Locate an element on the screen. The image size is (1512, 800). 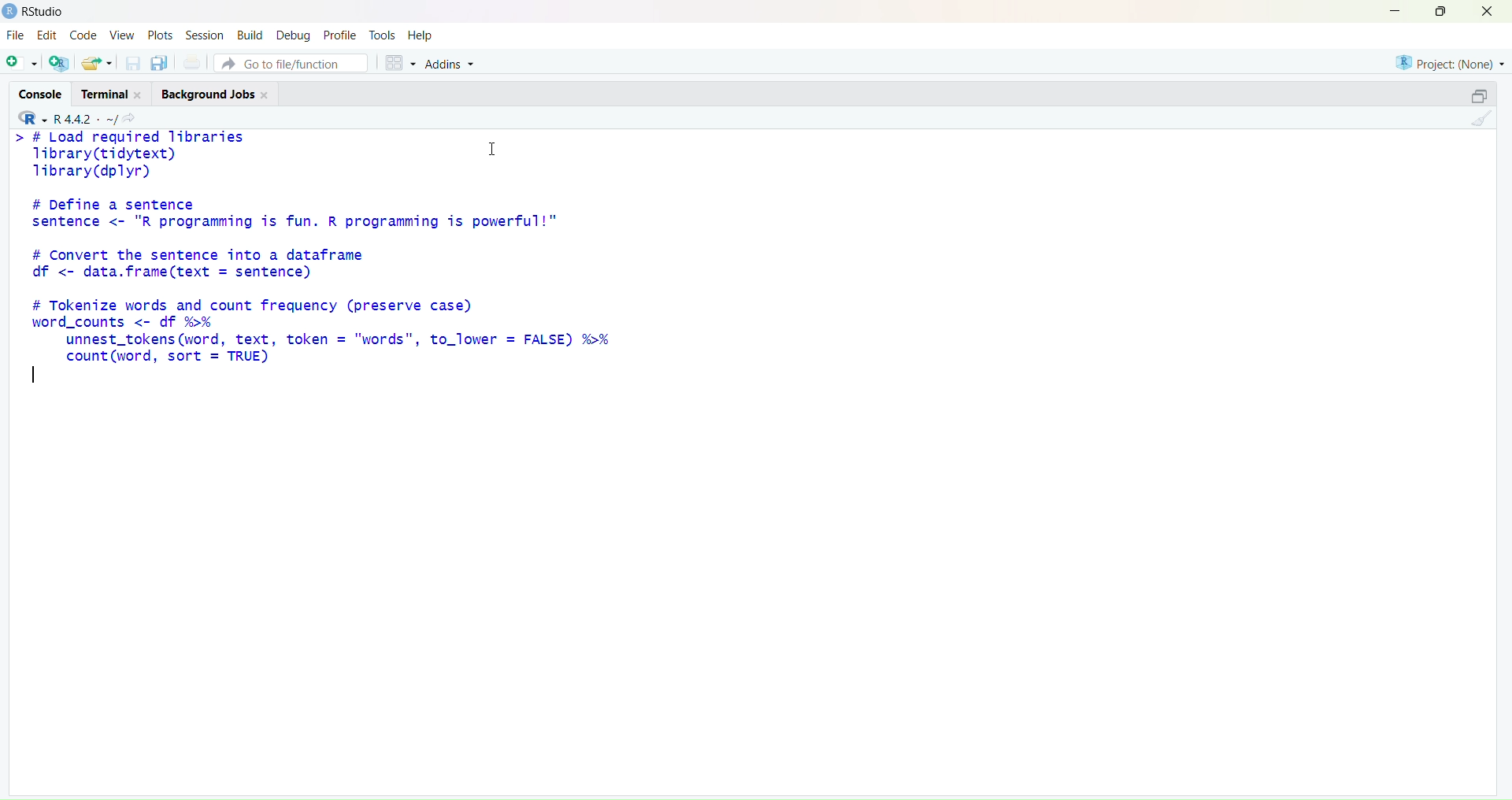
help is located at coordinates (421, 37).